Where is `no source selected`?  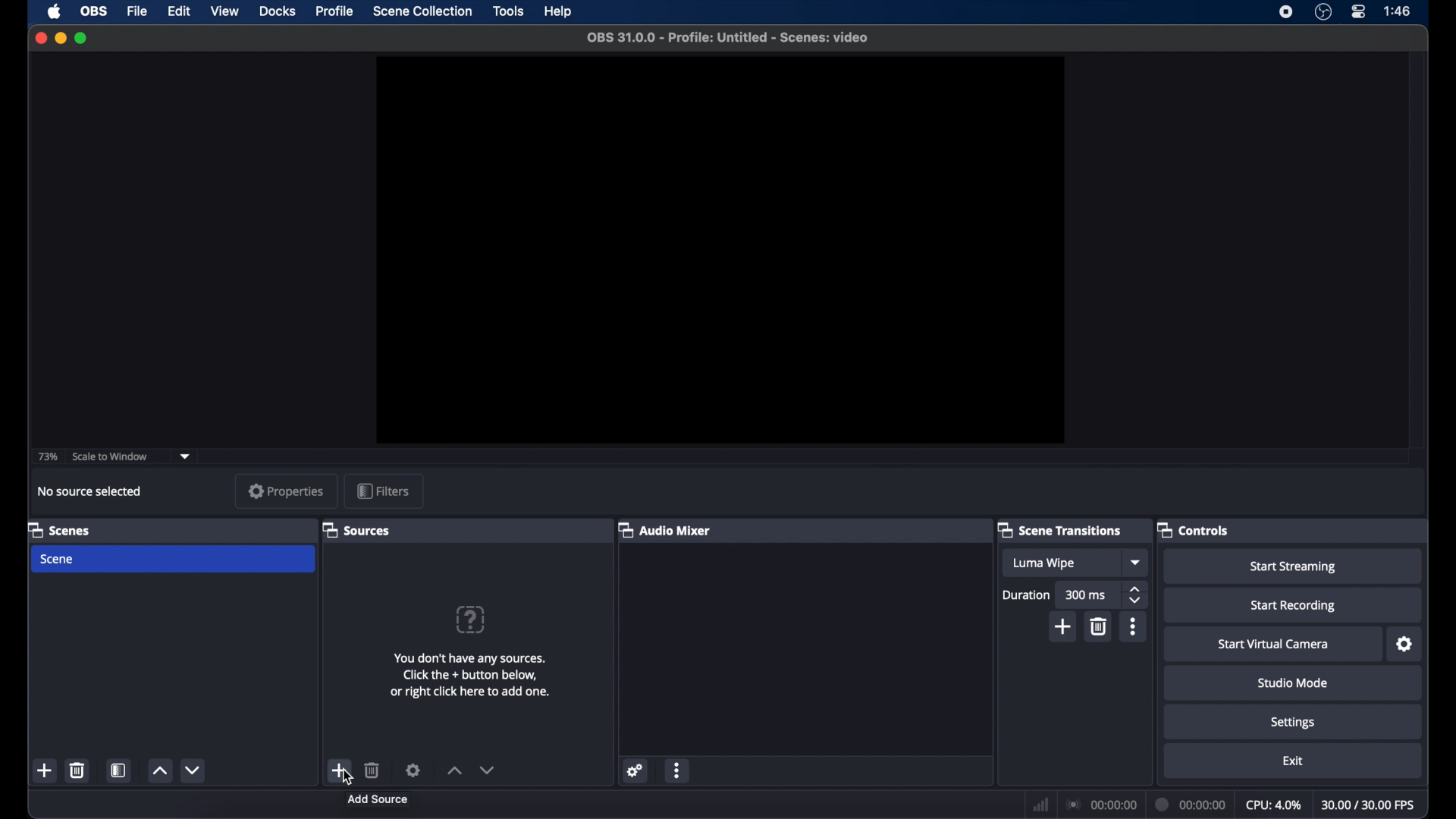
no source selected is located at coordinates (89, 491).